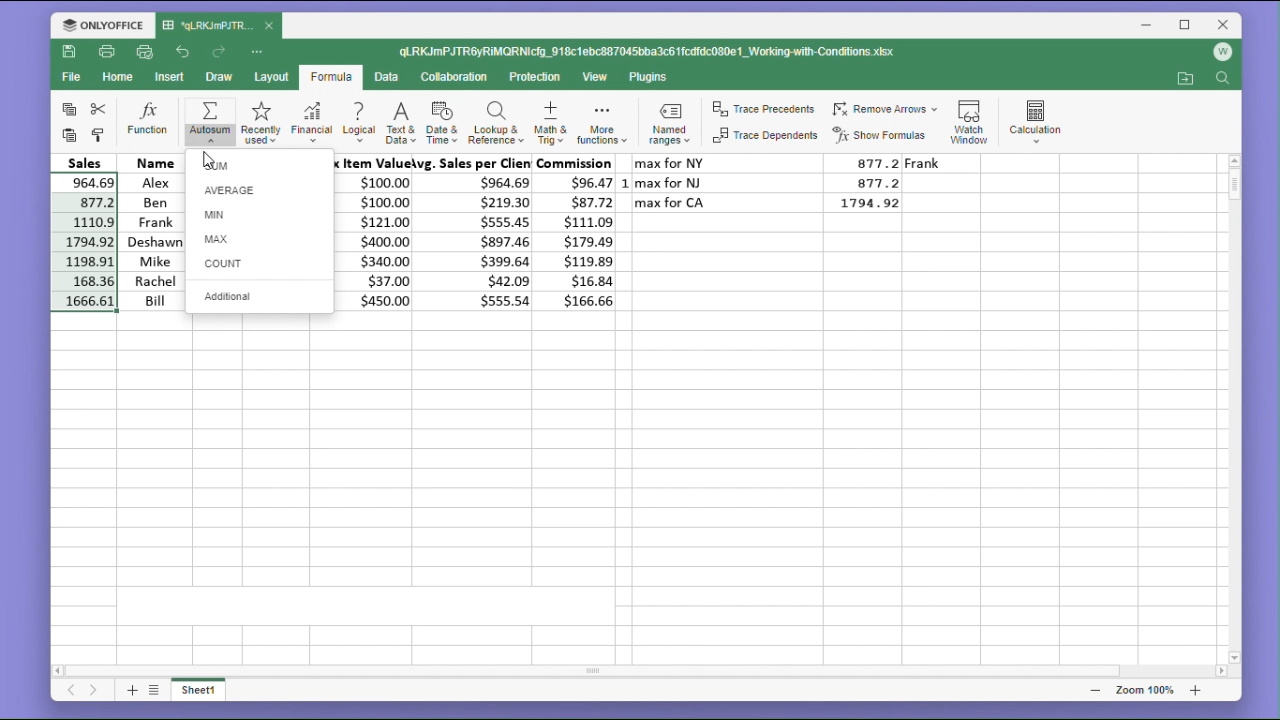 This screenshot has height=720, width=1280. What do you see at coordinates (150, 232) in the screenshot?
I see `names` at bounding box center [150, 232].